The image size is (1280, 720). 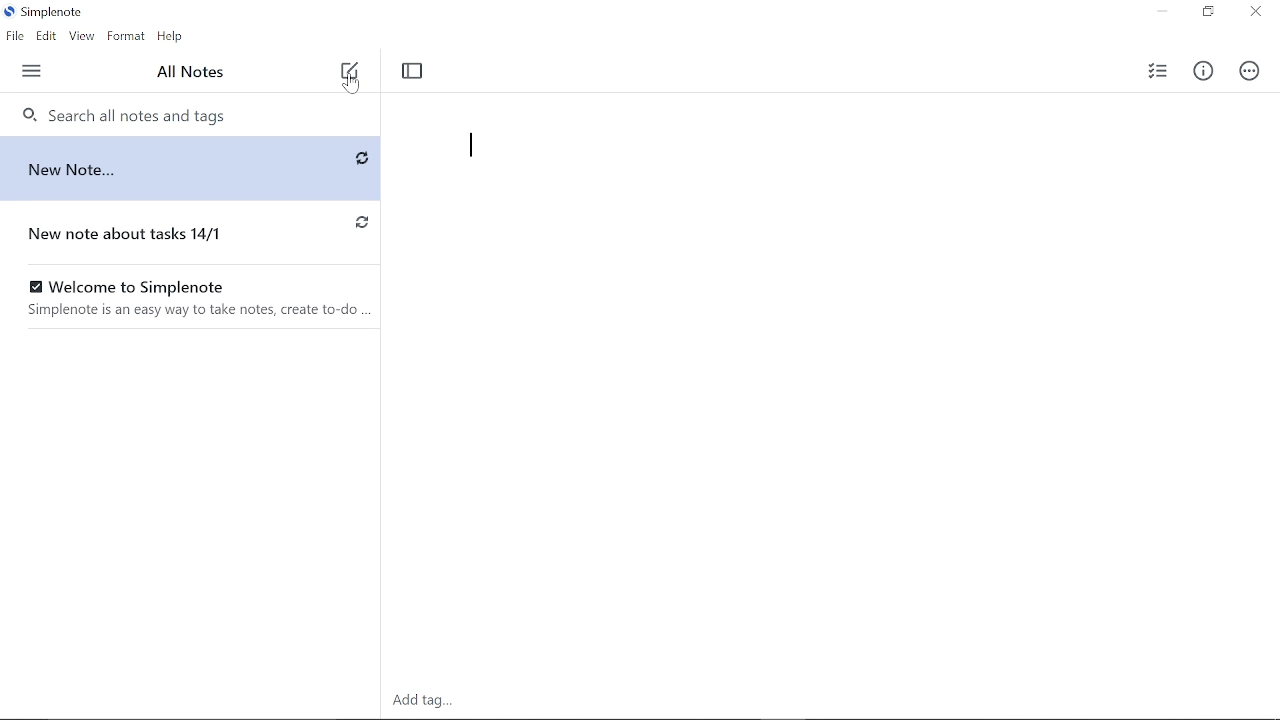 What do you see at coordinates (1161, 12) in the screenshot?
I see `Minimize` at bounding box center [1161, 12].